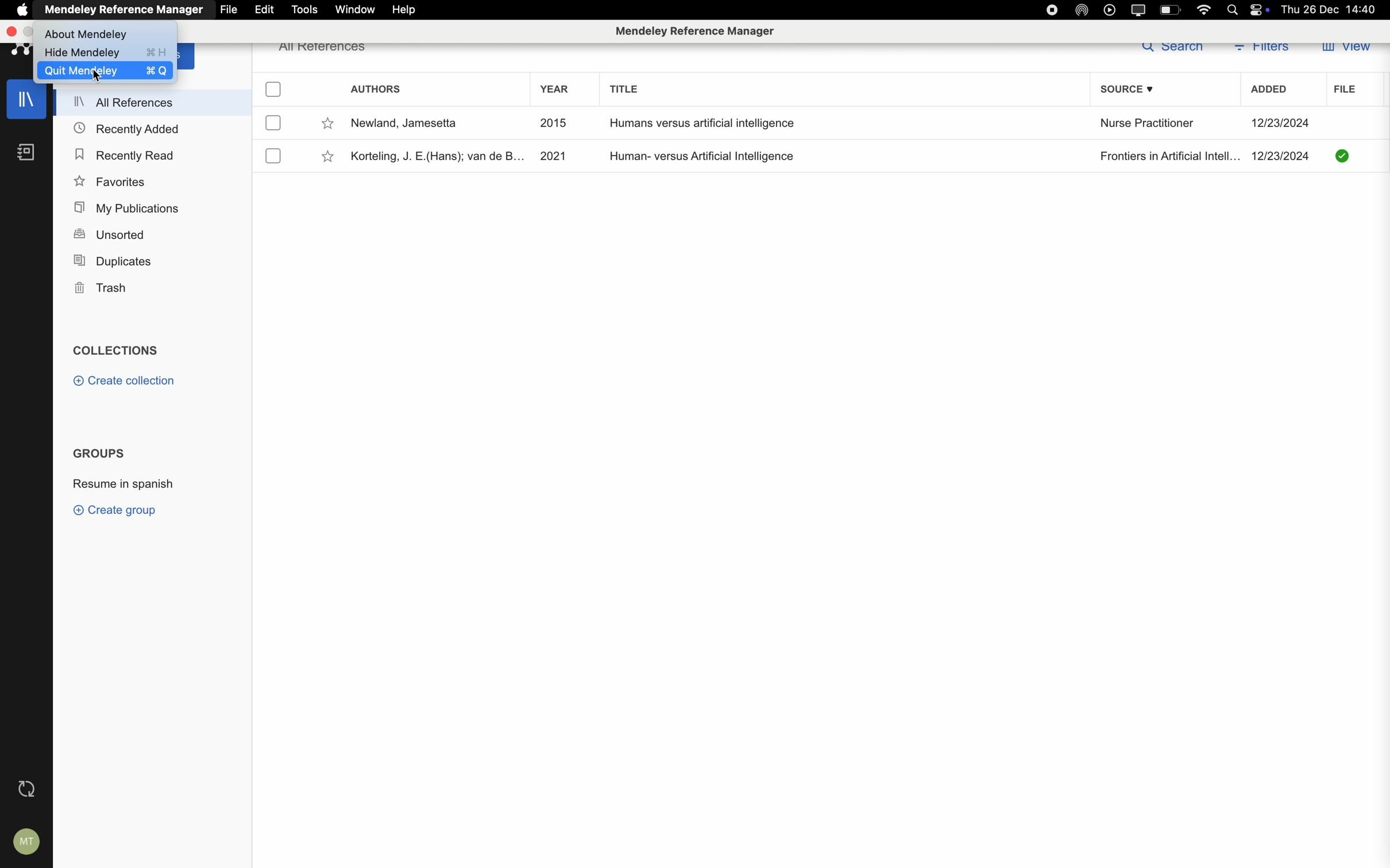 This screenshot has height=868, width=1390. What do you see at coordinates (30, 32) in the screenshot?
I see `minimize Mendeley` at bounding box center [30, 32].